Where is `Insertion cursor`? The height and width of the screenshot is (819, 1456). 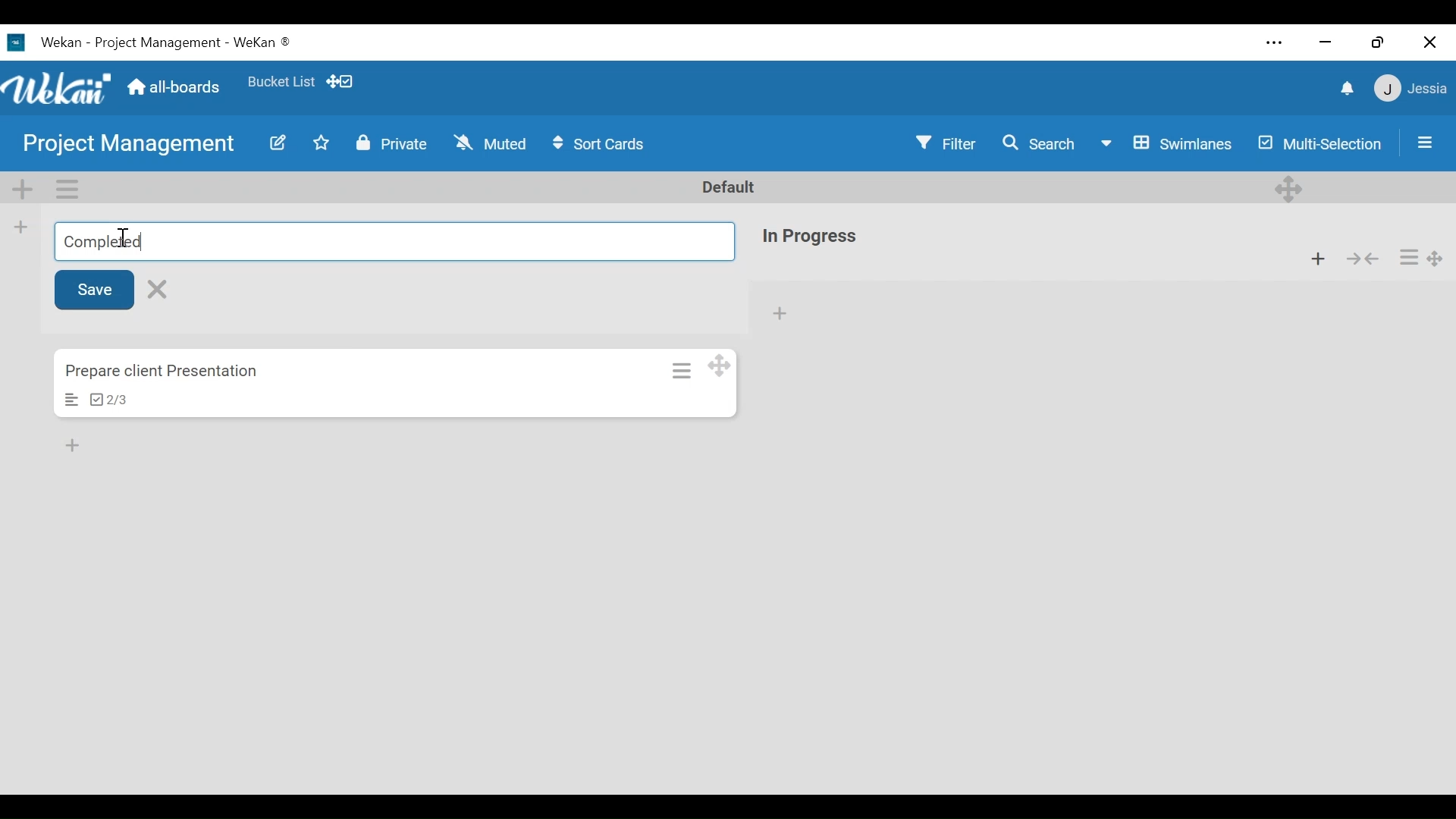
Insertion cursor is located at coordinates (124, 238).